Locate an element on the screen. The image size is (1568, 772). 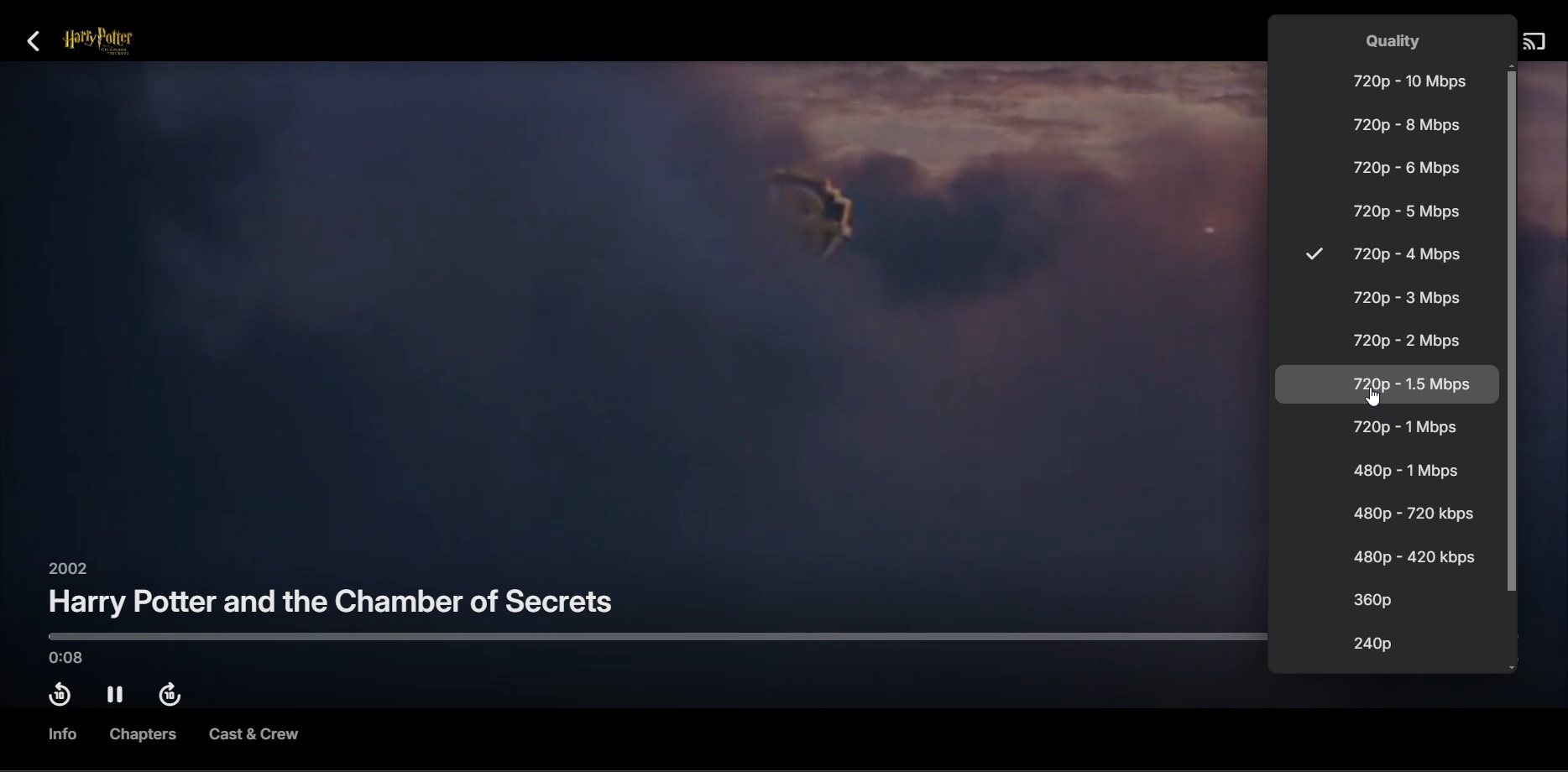
Movie Yerar and Title is located at coordinates (332, 594).